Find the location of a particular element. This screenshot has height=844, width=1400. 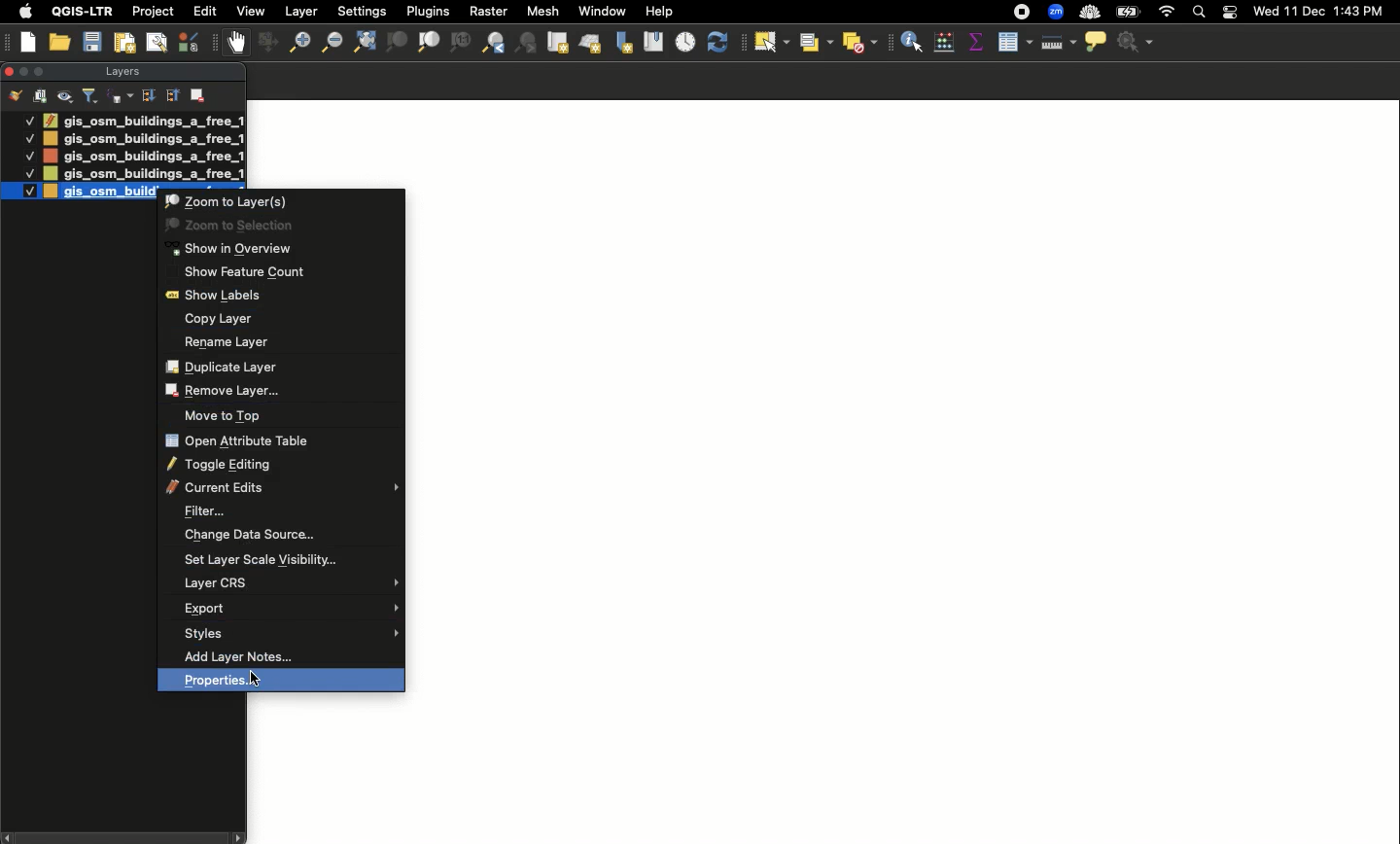

Checked is located at coordinates (28, 137).